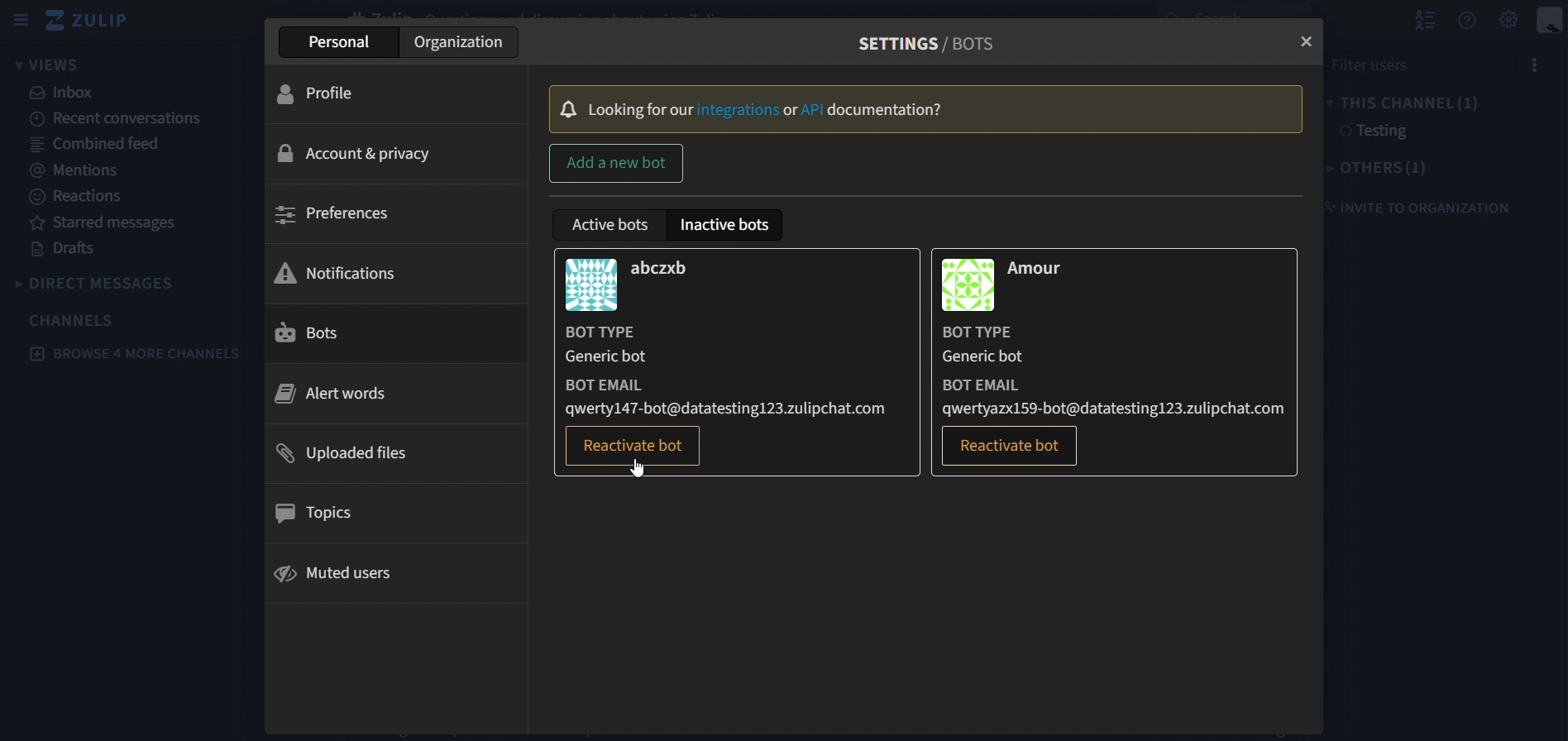 The width and height of the screenshot is (1568, 741). Describe the element at coordinates (612, 357) in the screenshot. I see `Generic bot` at that location.